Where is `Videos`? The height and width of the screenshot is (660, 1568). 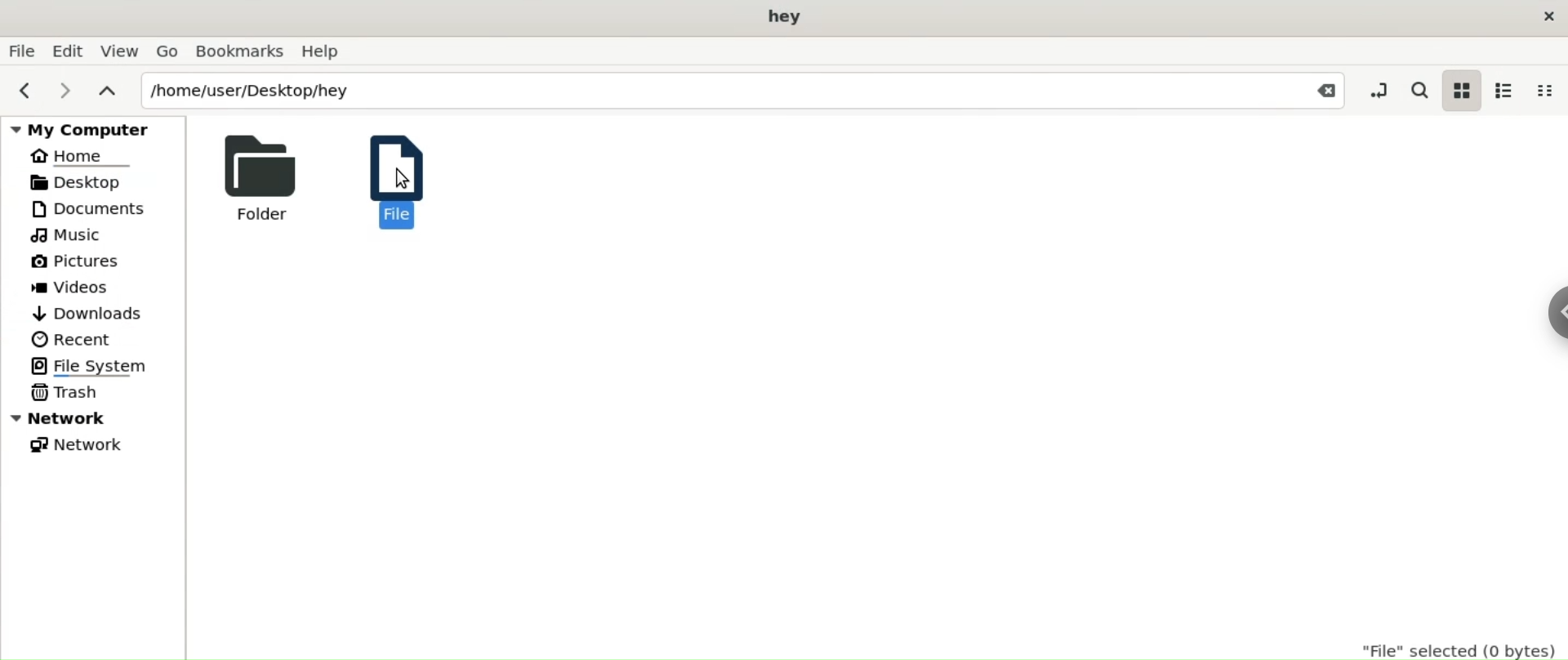
Videos is located at coordinates (83, 288).